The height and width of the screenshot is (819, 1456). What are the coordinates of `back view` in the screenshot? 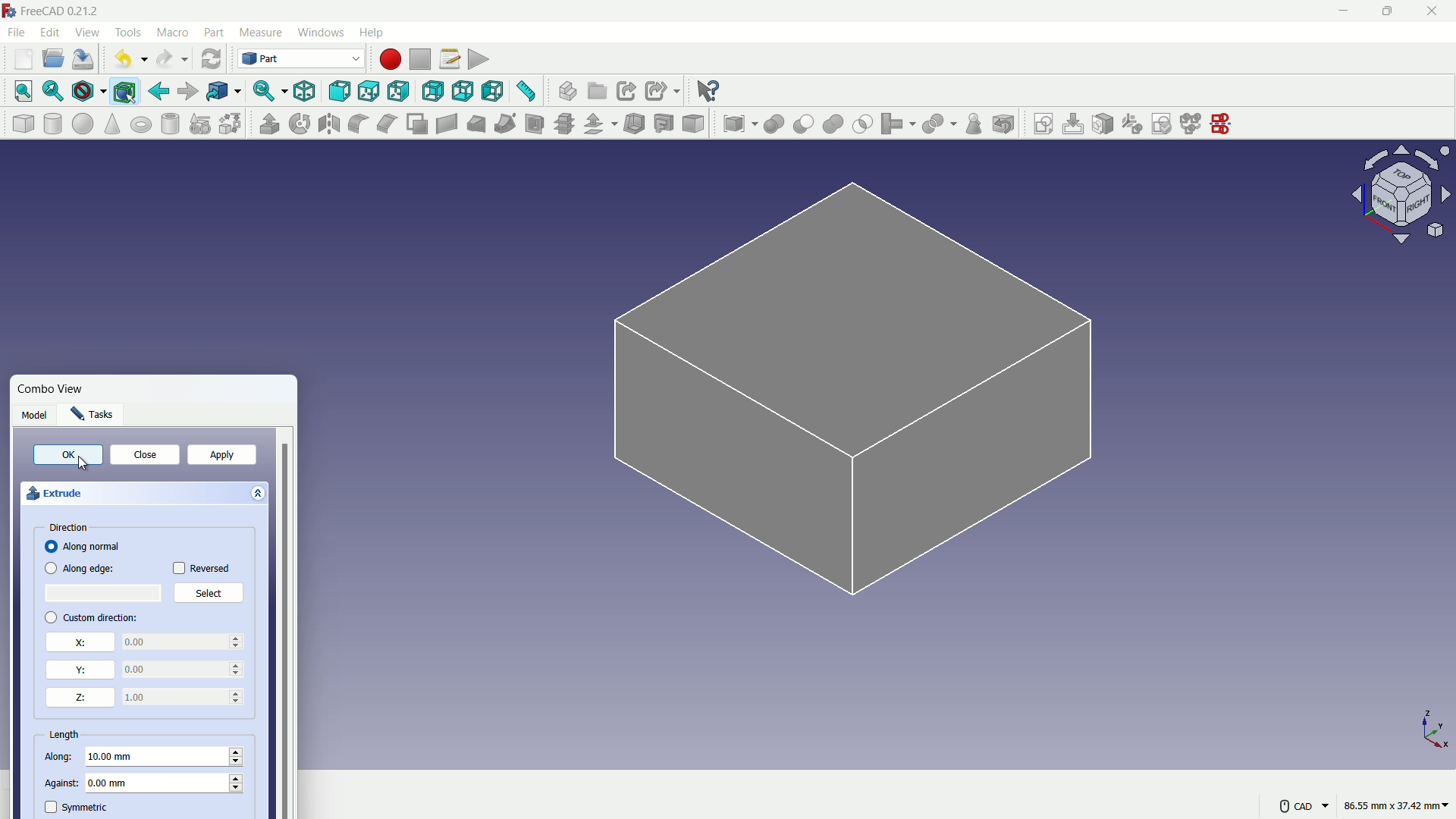 It's located at (432, 92).